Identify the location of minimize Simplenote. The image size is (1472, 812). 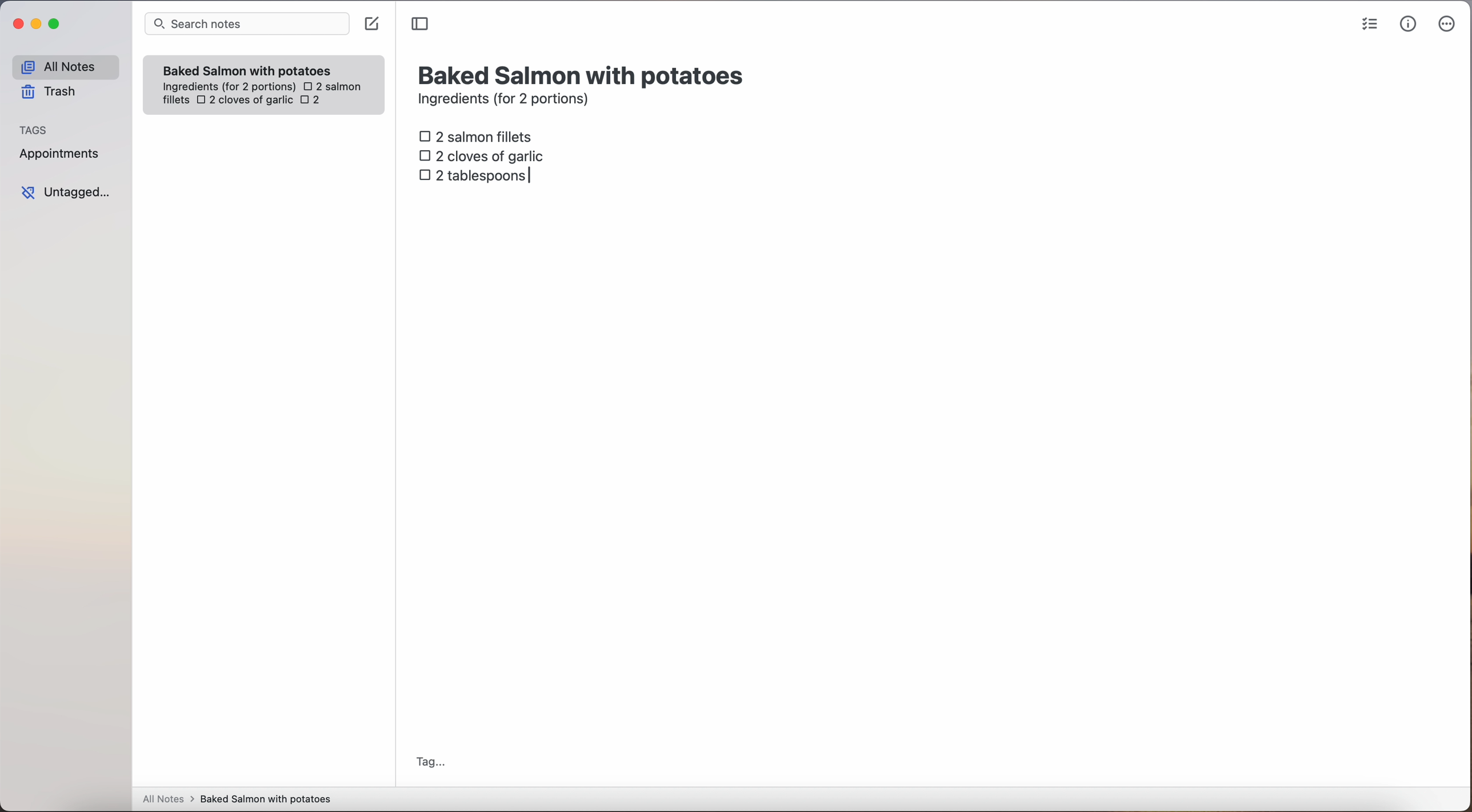
(36, 25).